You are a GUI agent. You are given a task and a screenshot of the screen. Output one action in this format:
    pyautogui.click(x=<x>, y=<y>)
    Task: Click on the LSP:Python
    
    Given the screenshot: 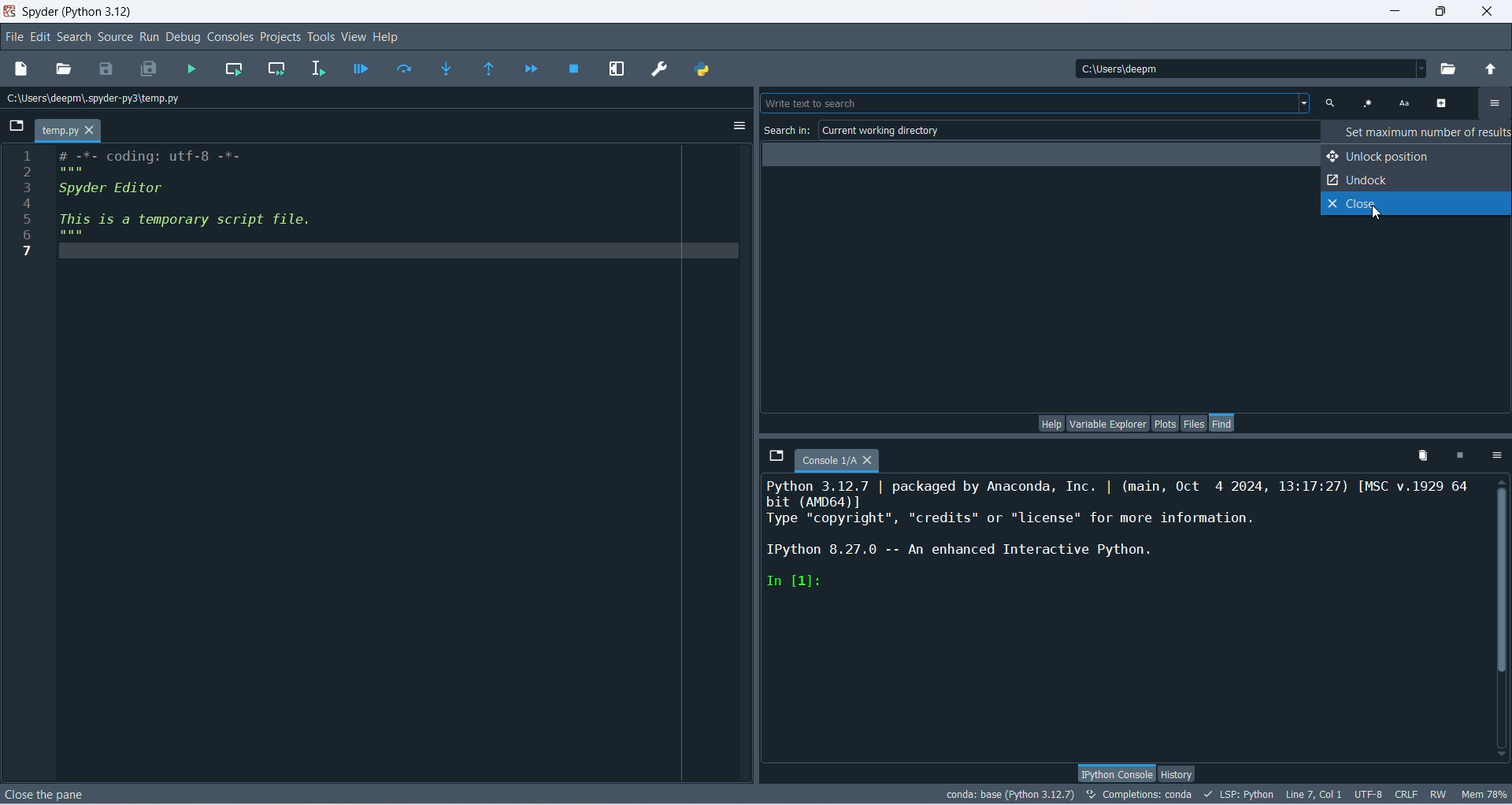 What is the action you would take?
    pyautogui.click(x=1238, y=795)
    